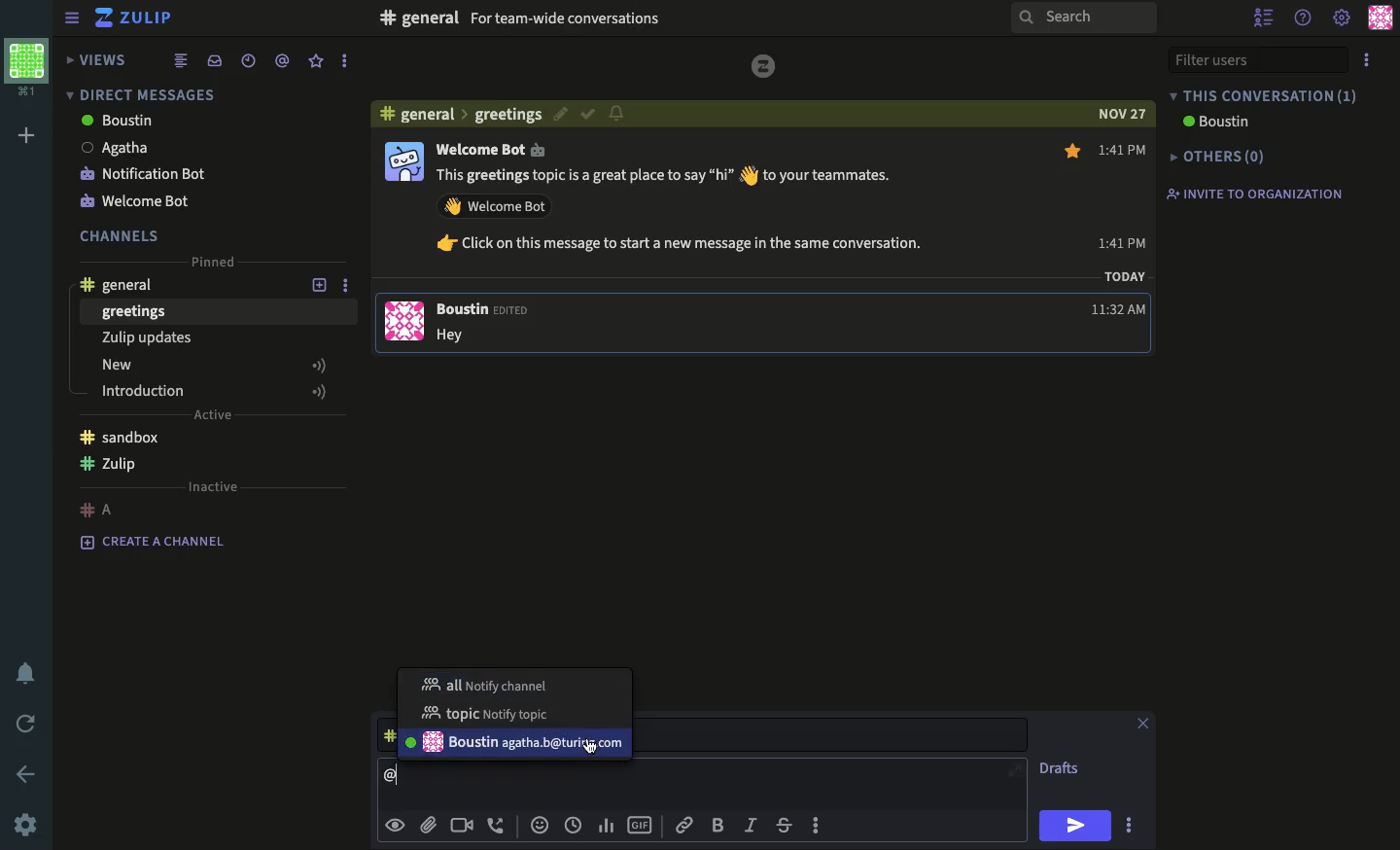  What do you see at coordinates (492, 713) in the screenshot?
I see `topic notify topic` at bounding box center [492, 713].